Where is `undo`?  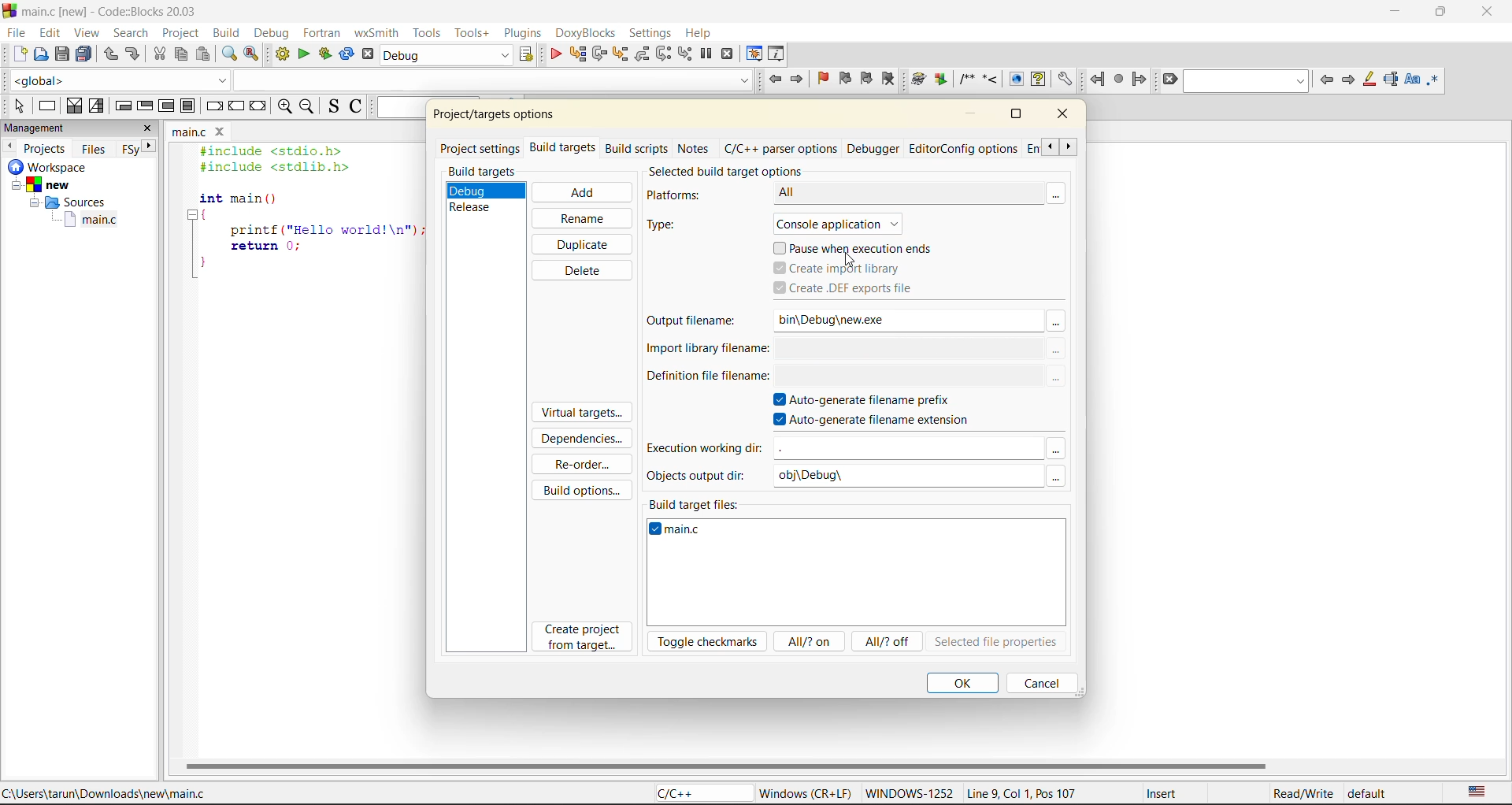 undo is located at coordinates (109, 54).